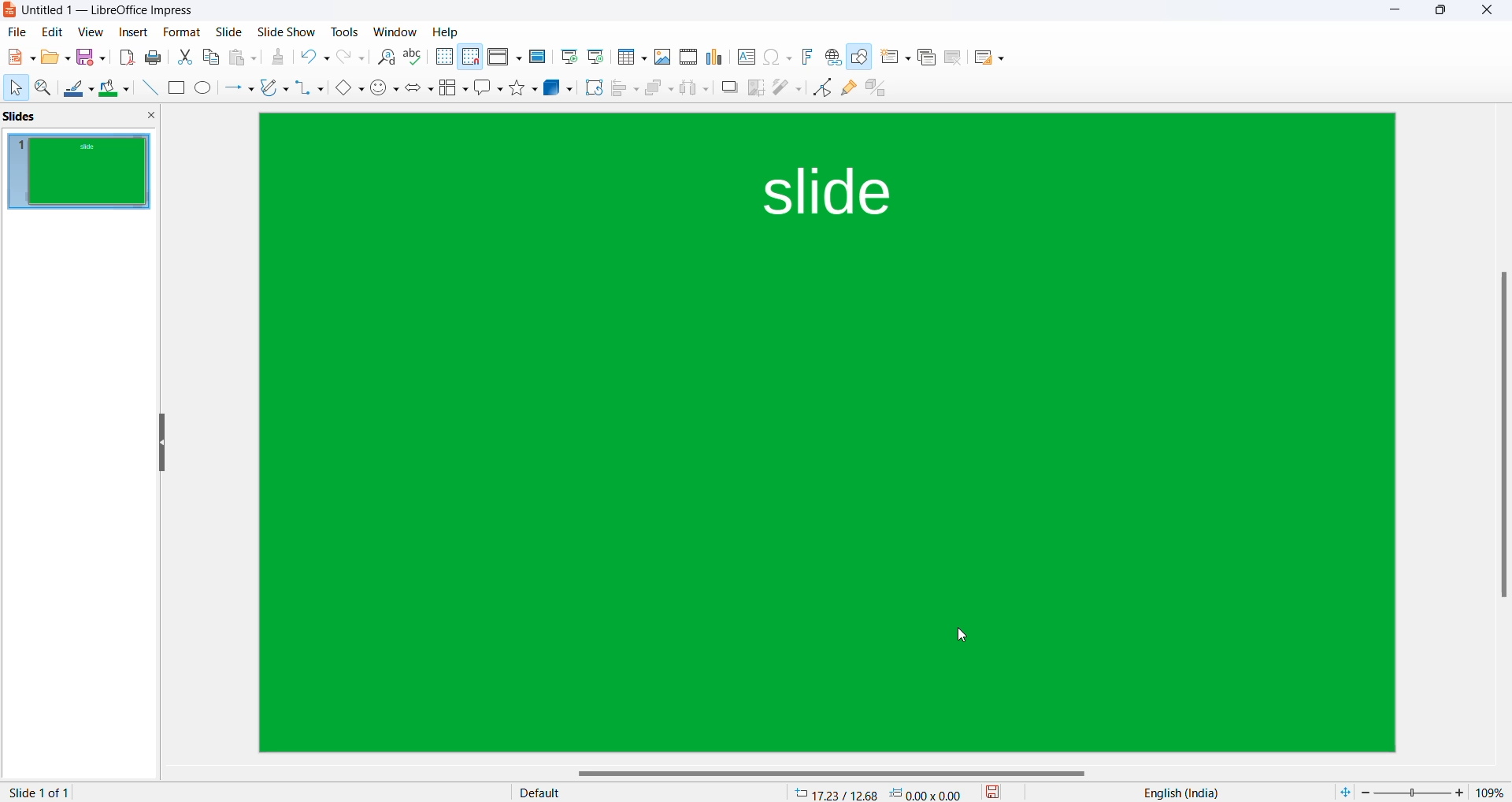  What do you see at coordinates (777, 58) in the screenshot?
I see `insert special characters` at bounding box center [777, 58].